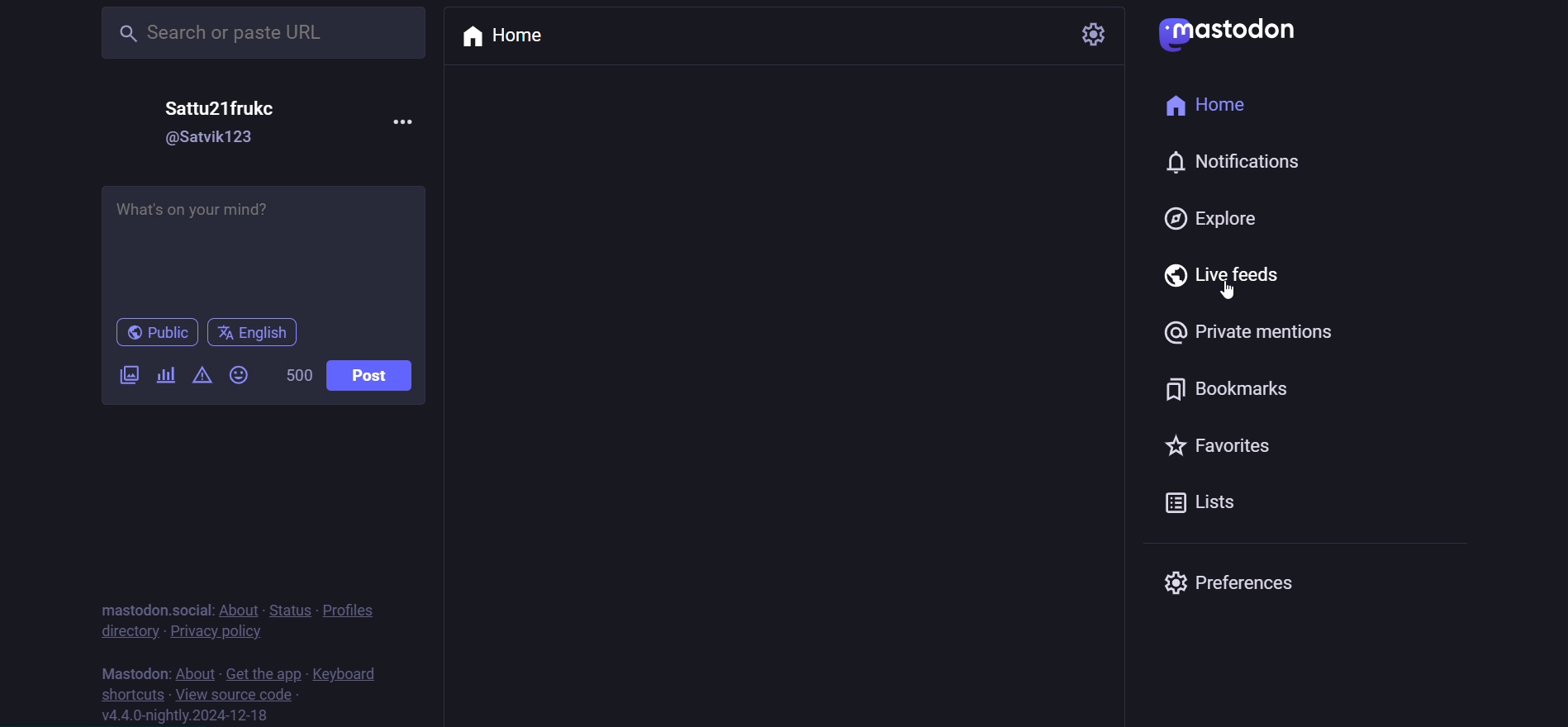  Describe the element at coordinates (1230, 296) in the screenshot. I see `cursor` at that location.